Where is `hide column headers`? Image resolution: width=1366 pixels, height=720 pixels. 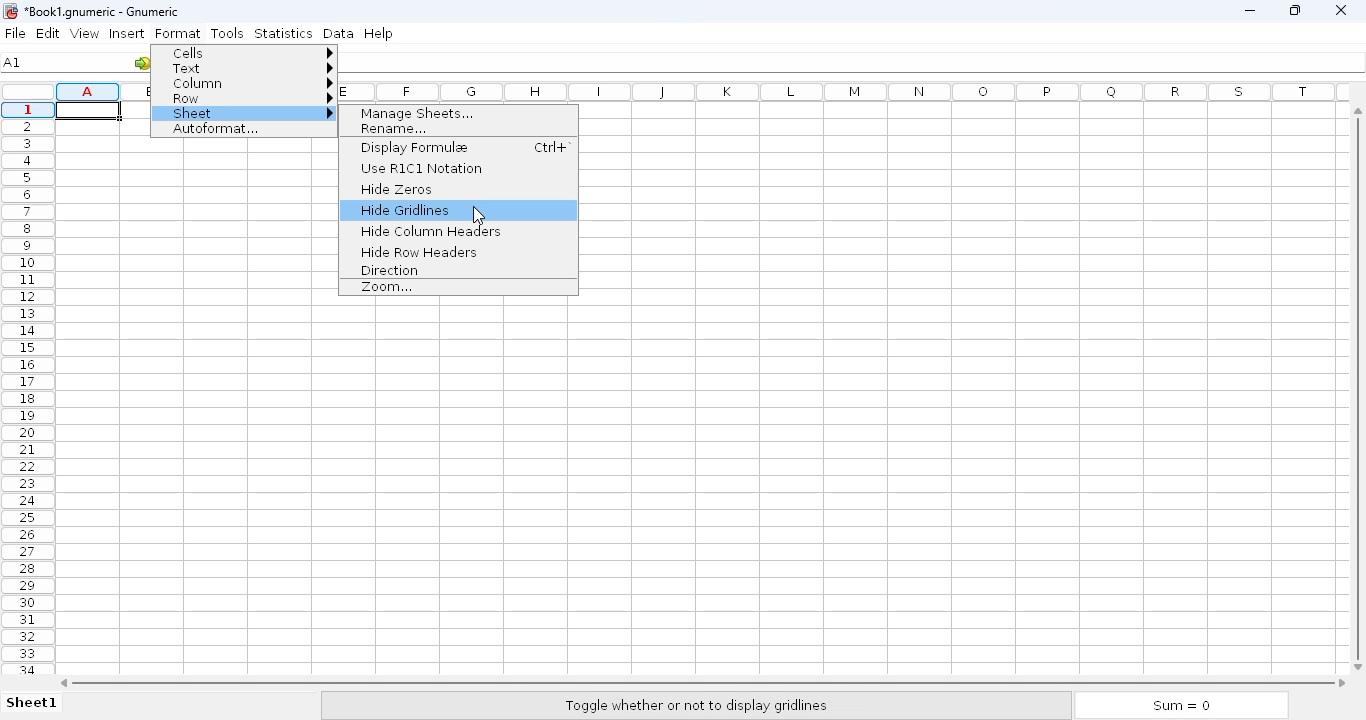
hide column headers is located at coordinates (432, 232).